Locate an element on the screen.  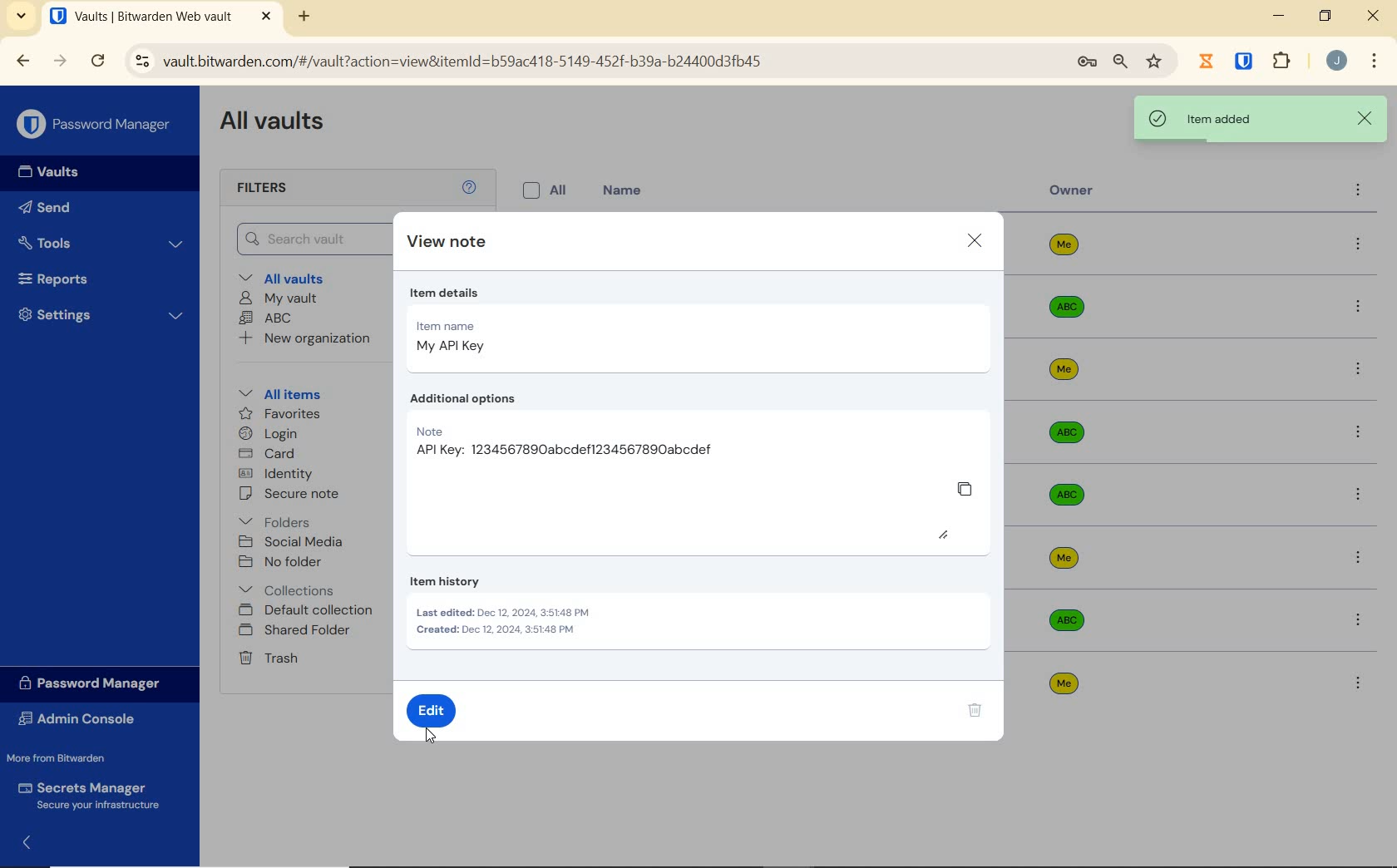
owner is located at coordinates (1072, 192).